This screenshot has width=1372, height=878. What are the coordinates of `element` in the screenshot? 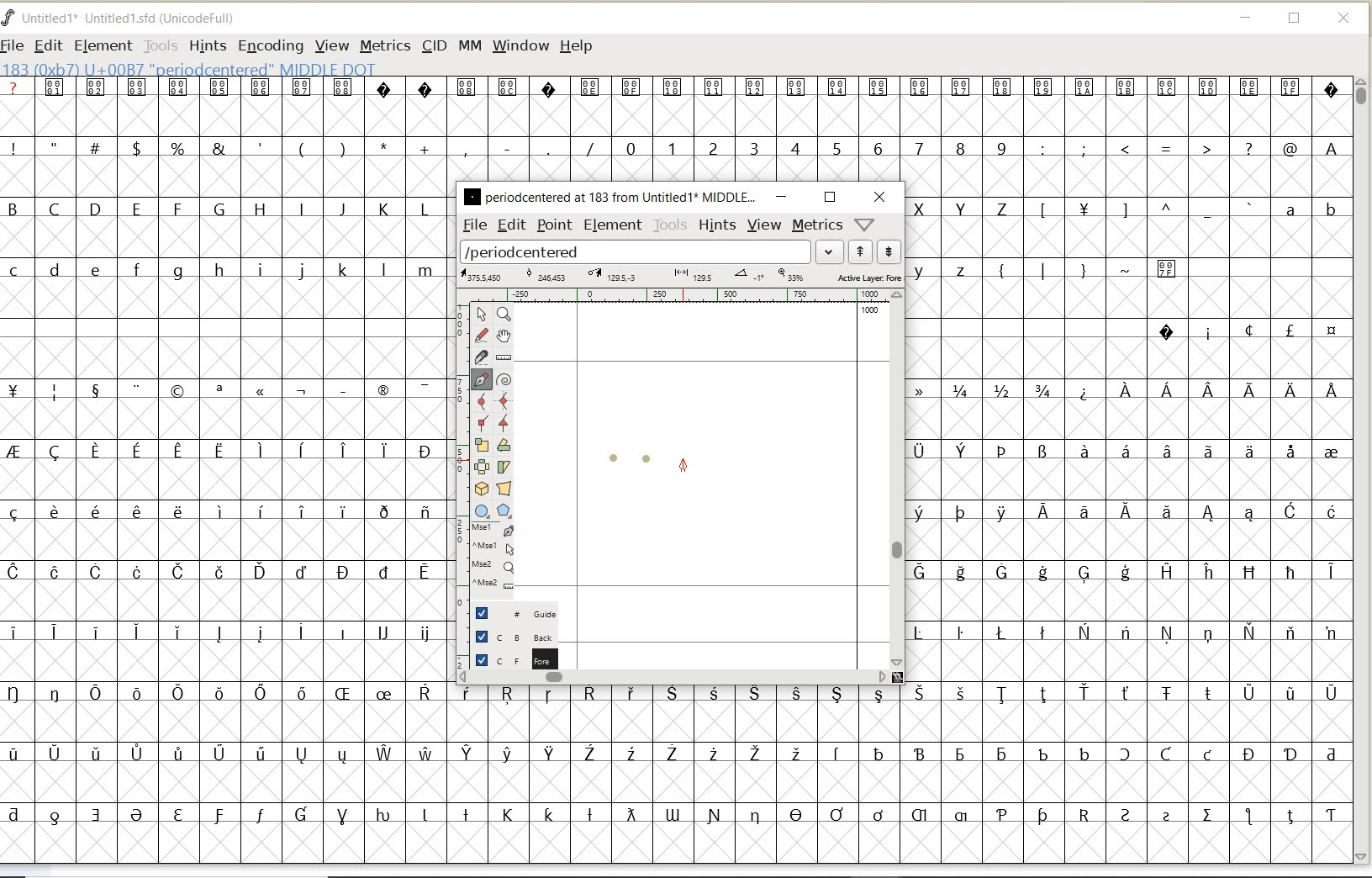 It's located at (610, 225).